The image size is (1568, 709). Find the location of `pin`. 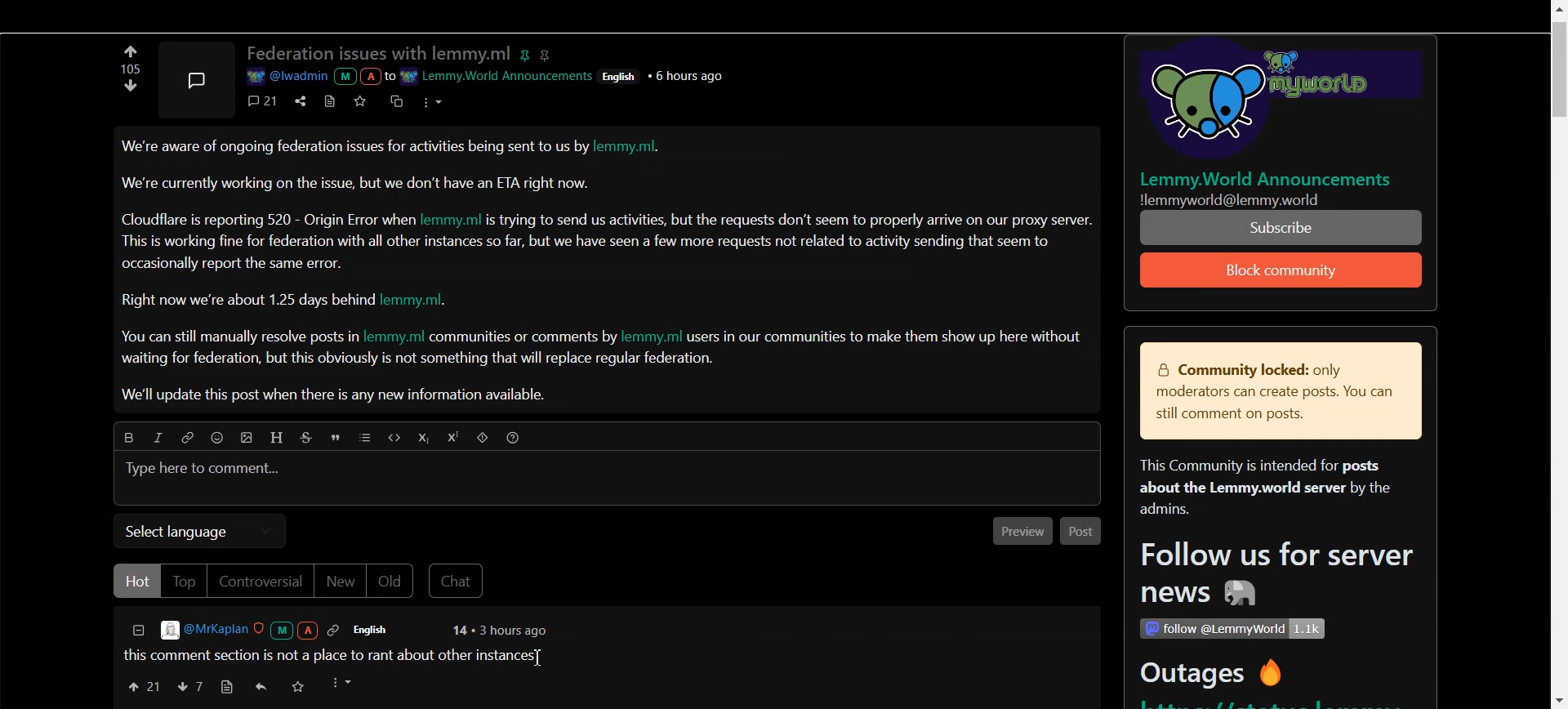

pin is located at coordinates (528, 52).